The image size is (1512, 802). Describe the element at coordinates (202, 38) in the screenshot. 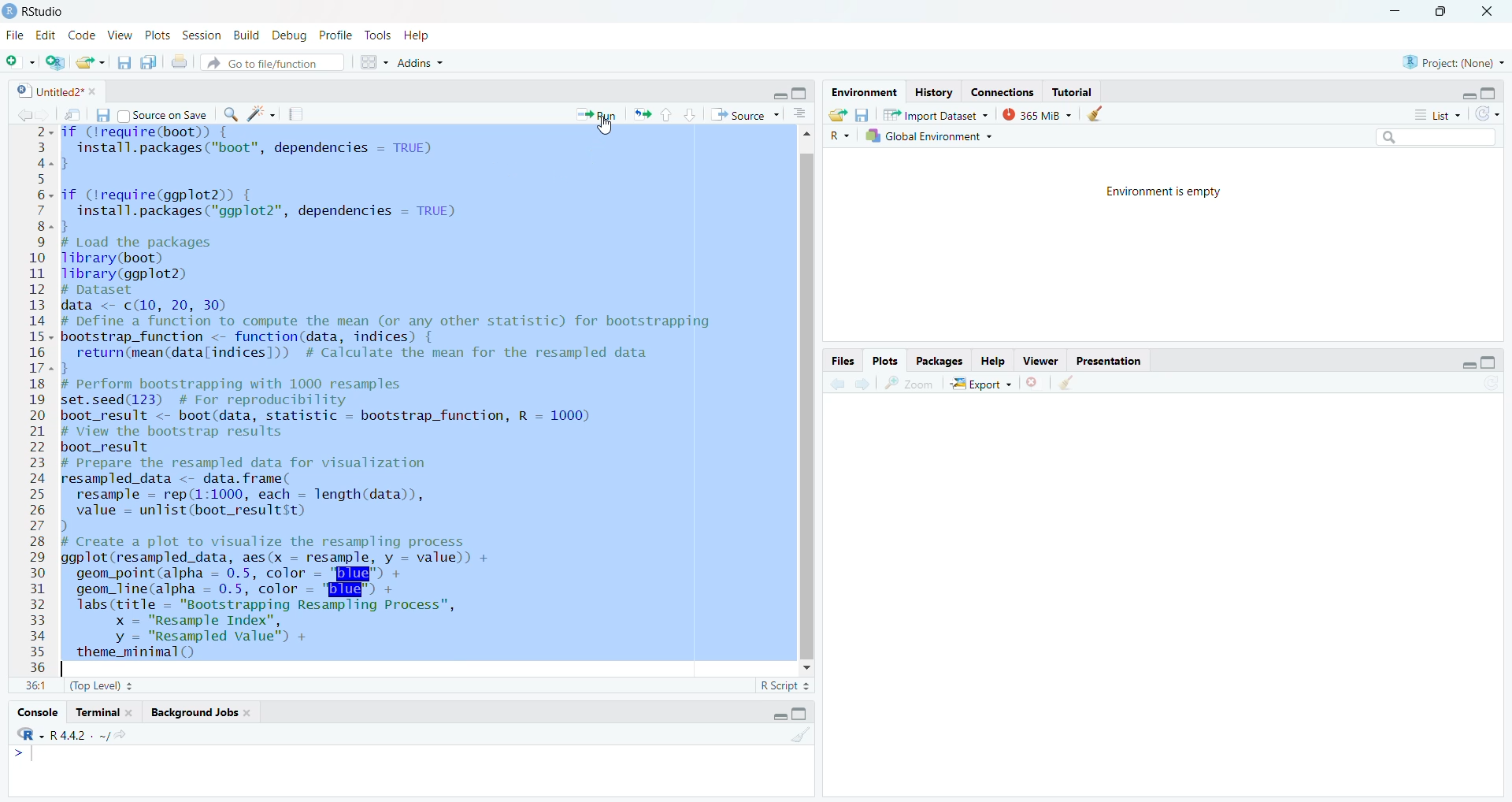

I see `Session` at that location.